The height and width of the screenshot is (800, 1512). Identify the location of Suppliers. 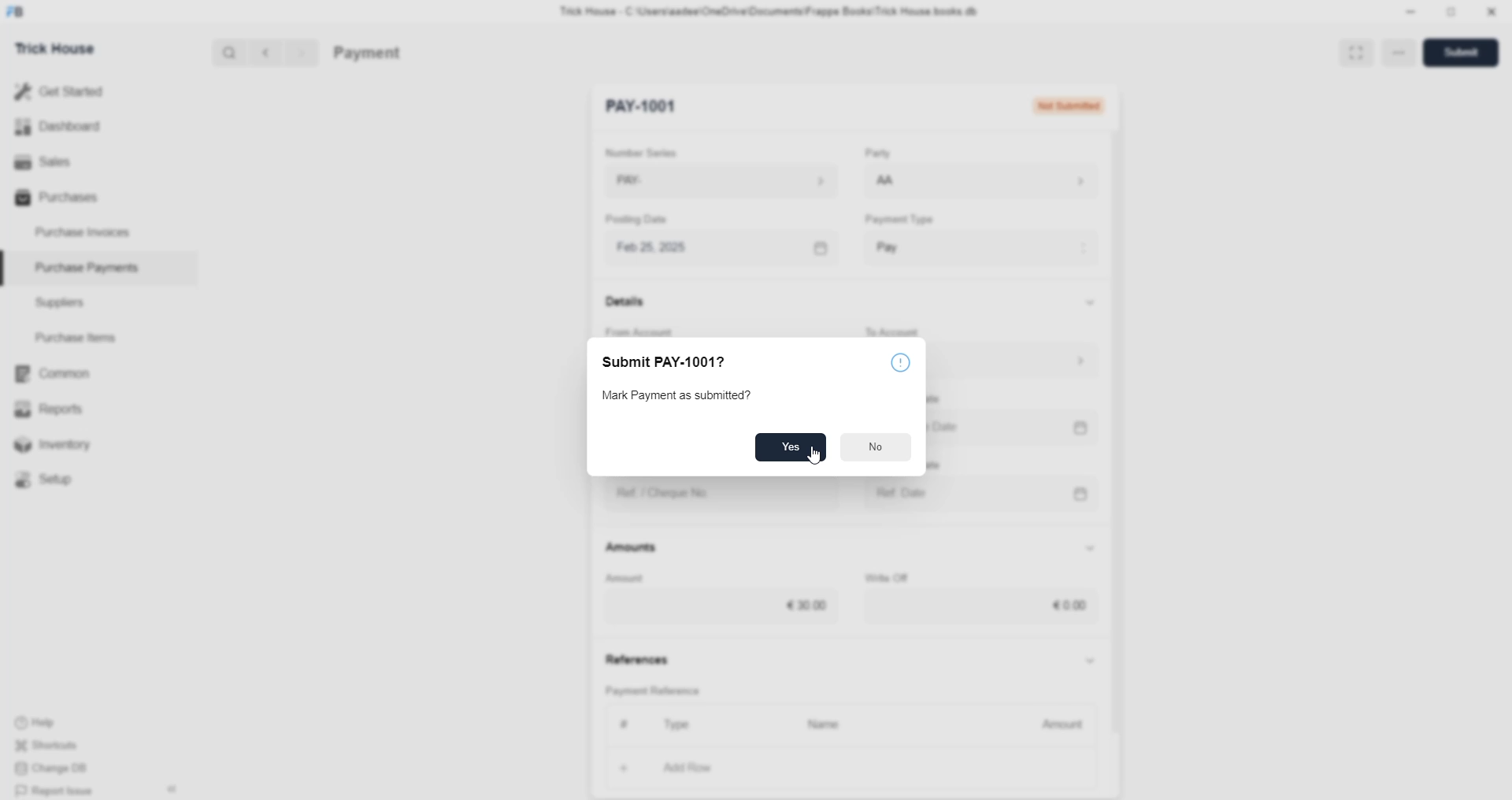
(54, 302).